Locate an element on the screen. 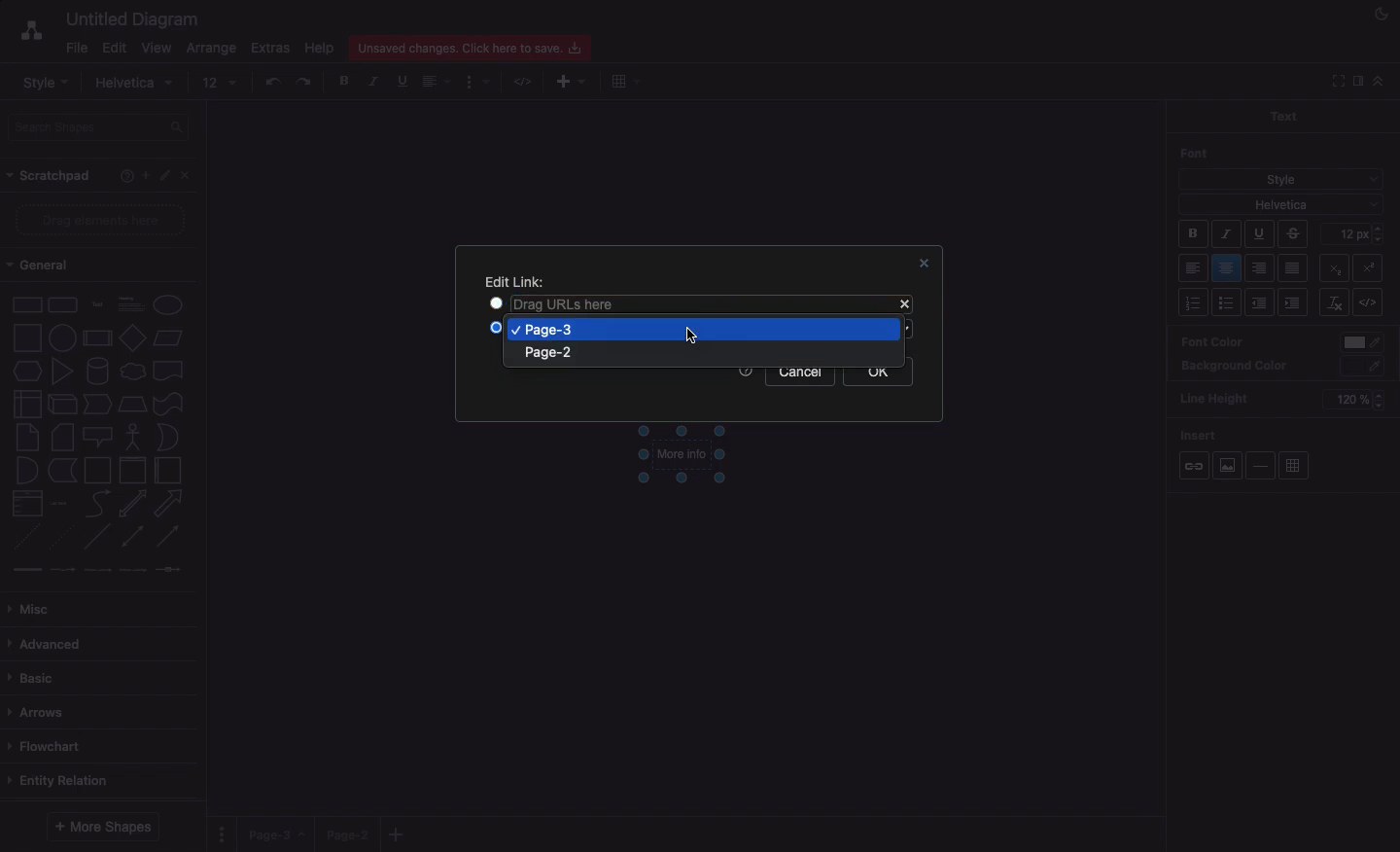 The width and height of the screenshot is (1400, 852). Close is located at coordinates (904, 305).